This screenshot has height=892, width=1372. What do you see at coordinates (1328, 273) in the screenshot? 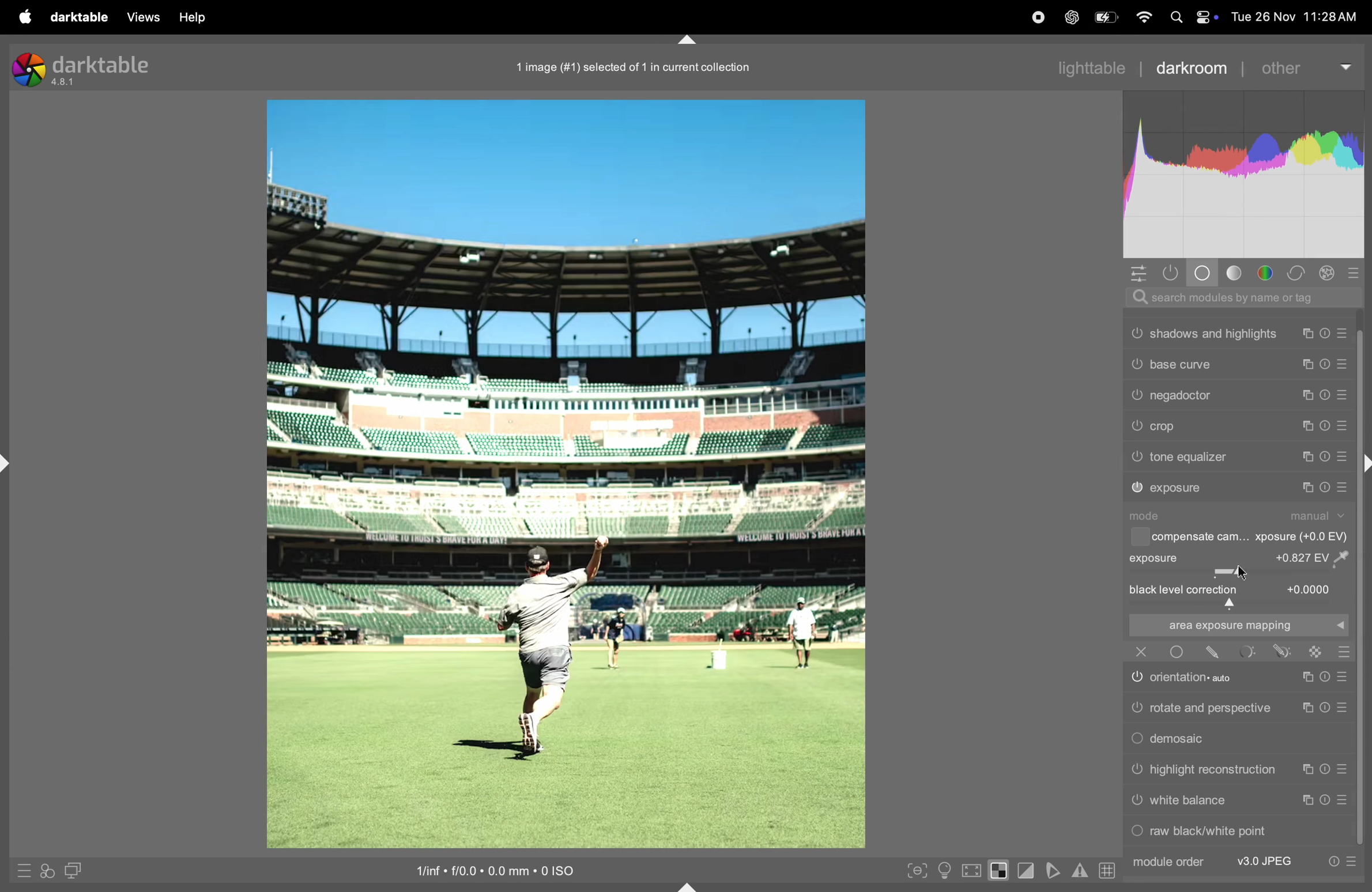
I see `effect` at bounding box center [1328, 273].